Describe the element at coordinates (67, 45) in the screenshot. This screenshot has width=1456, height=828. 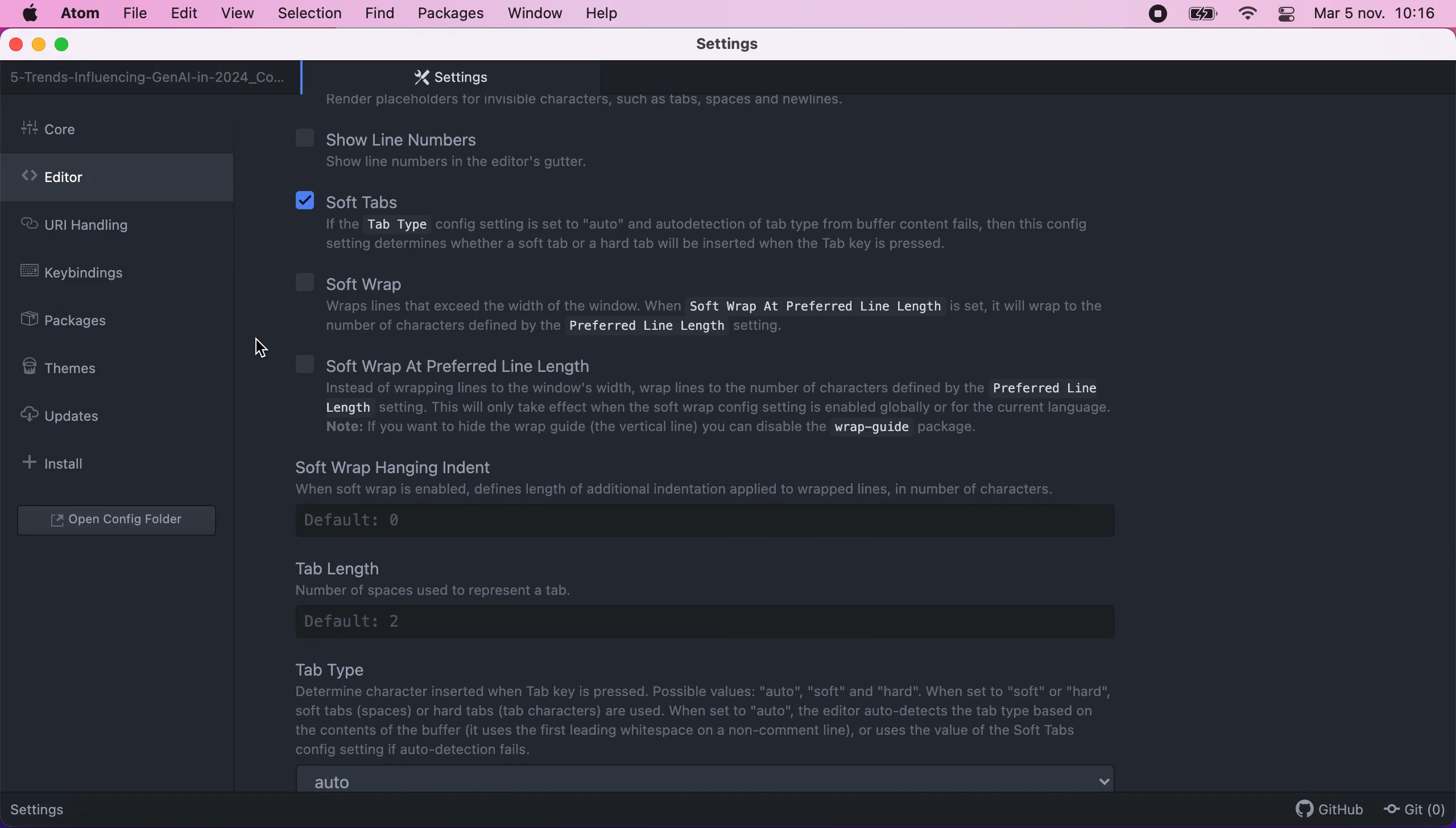
I see `maximize` at that location.